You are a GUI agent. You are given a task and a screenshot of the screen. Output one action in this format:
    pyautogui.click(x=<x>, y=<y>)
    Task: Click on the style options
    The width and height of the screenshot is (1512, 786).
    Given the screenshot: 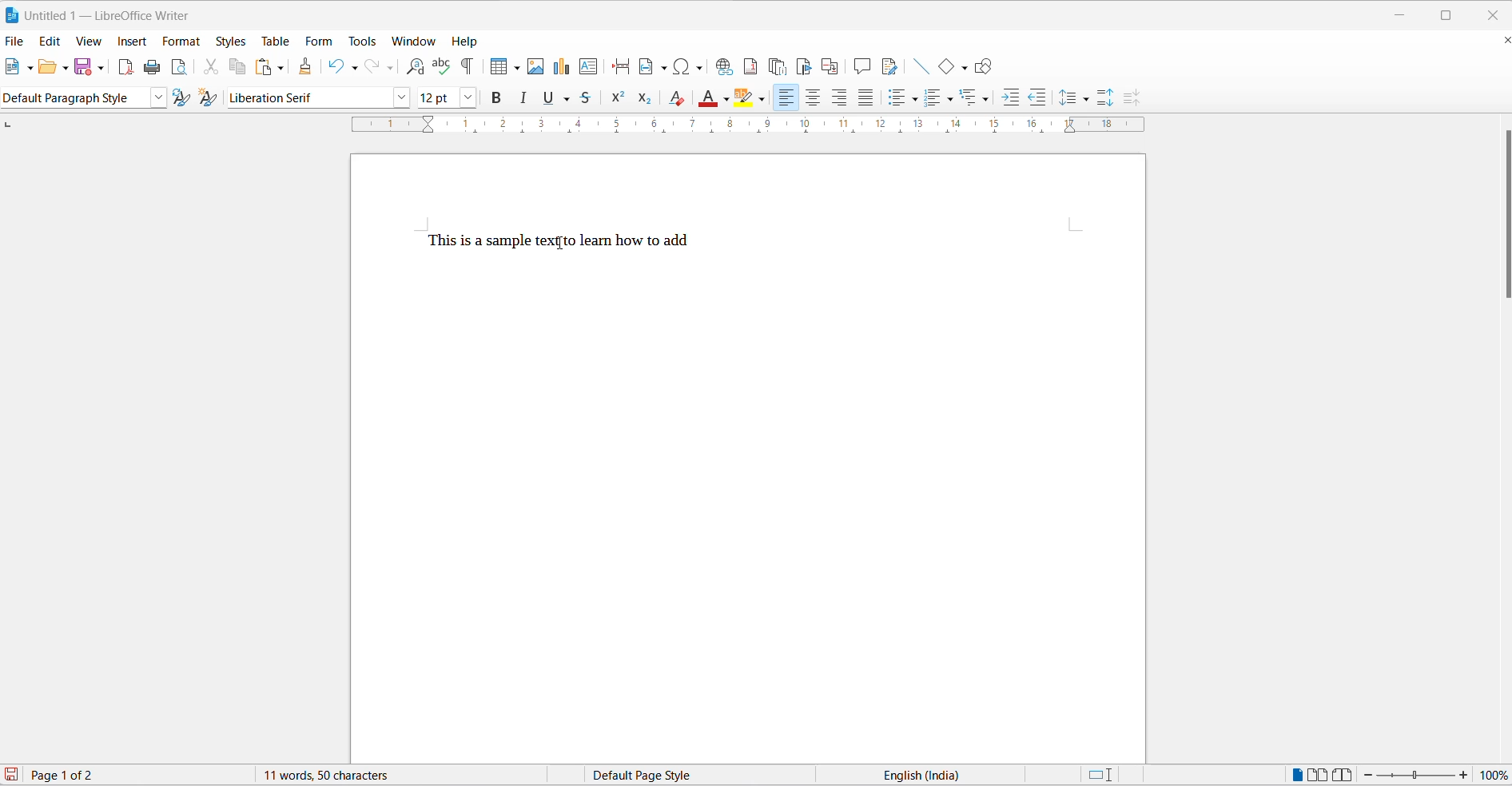 What is the action you would take?
    pyautogui.click(x=156, y=98)
    